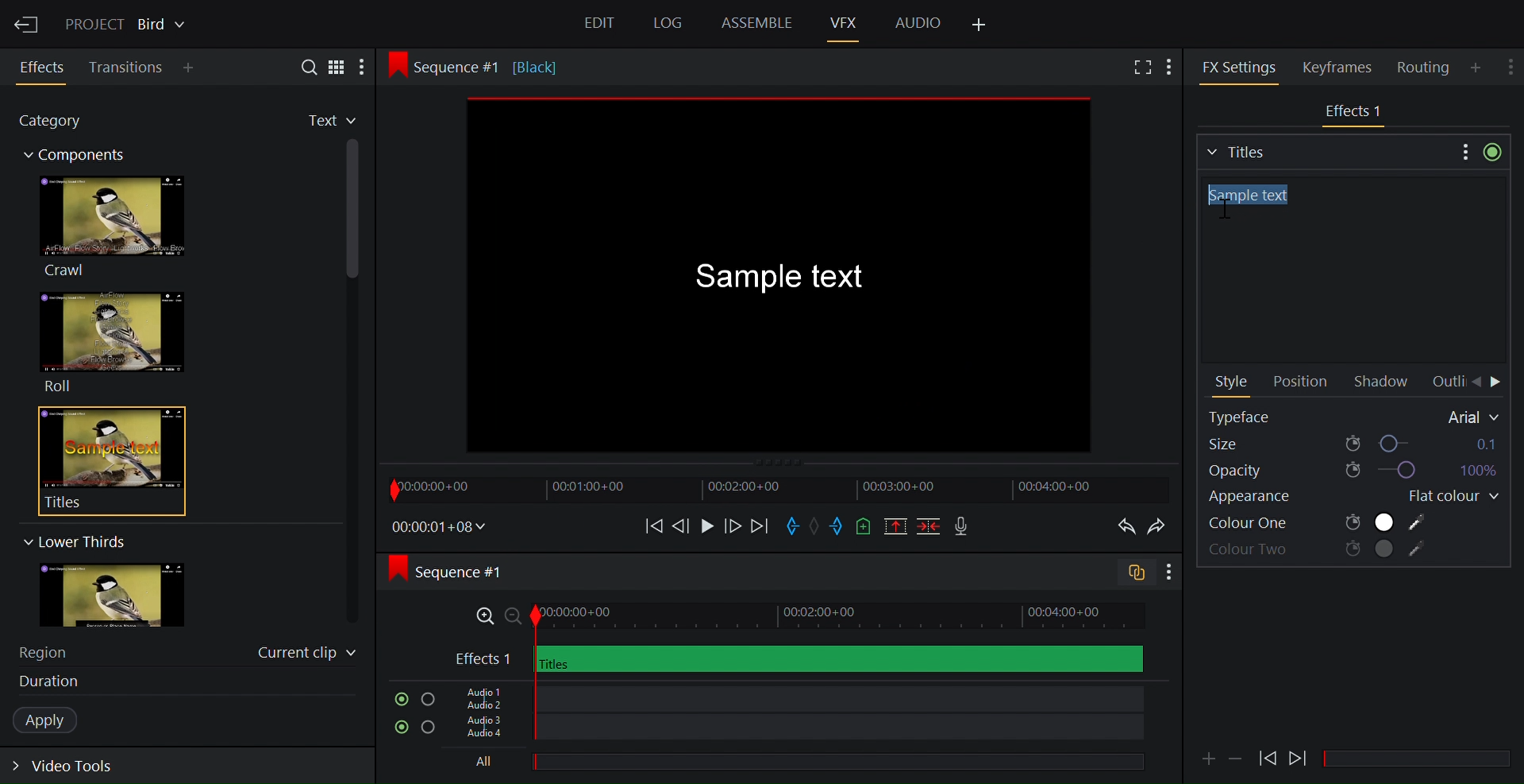 This screenshot has width=1524, height=784. I want to click on Show settings menu, so click(1512, 63).